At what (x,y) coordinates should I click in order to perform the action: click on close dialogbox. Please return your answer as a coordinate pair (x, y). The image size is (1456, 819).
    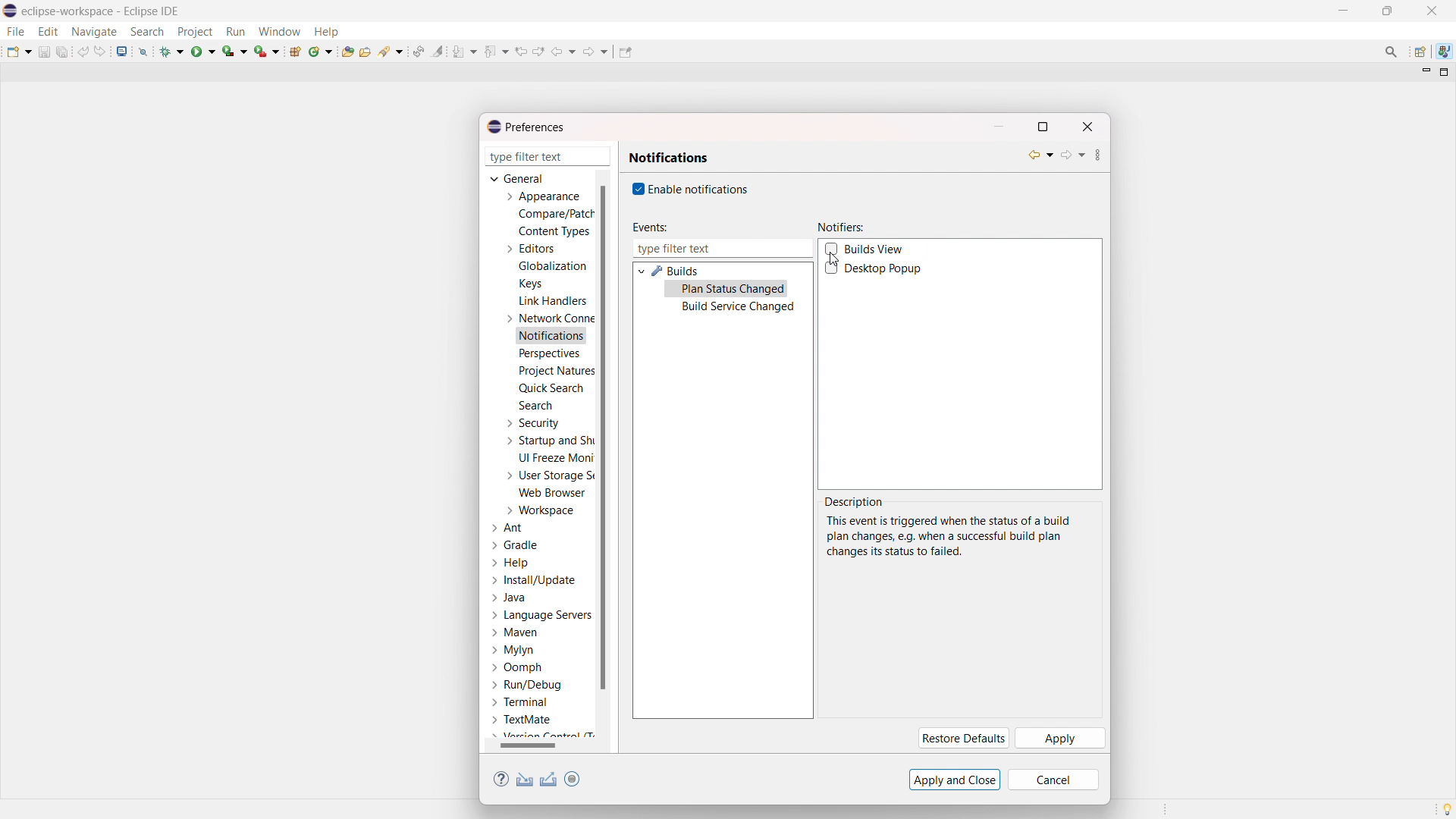
    Looking at the image, I should click on (1087, 127).